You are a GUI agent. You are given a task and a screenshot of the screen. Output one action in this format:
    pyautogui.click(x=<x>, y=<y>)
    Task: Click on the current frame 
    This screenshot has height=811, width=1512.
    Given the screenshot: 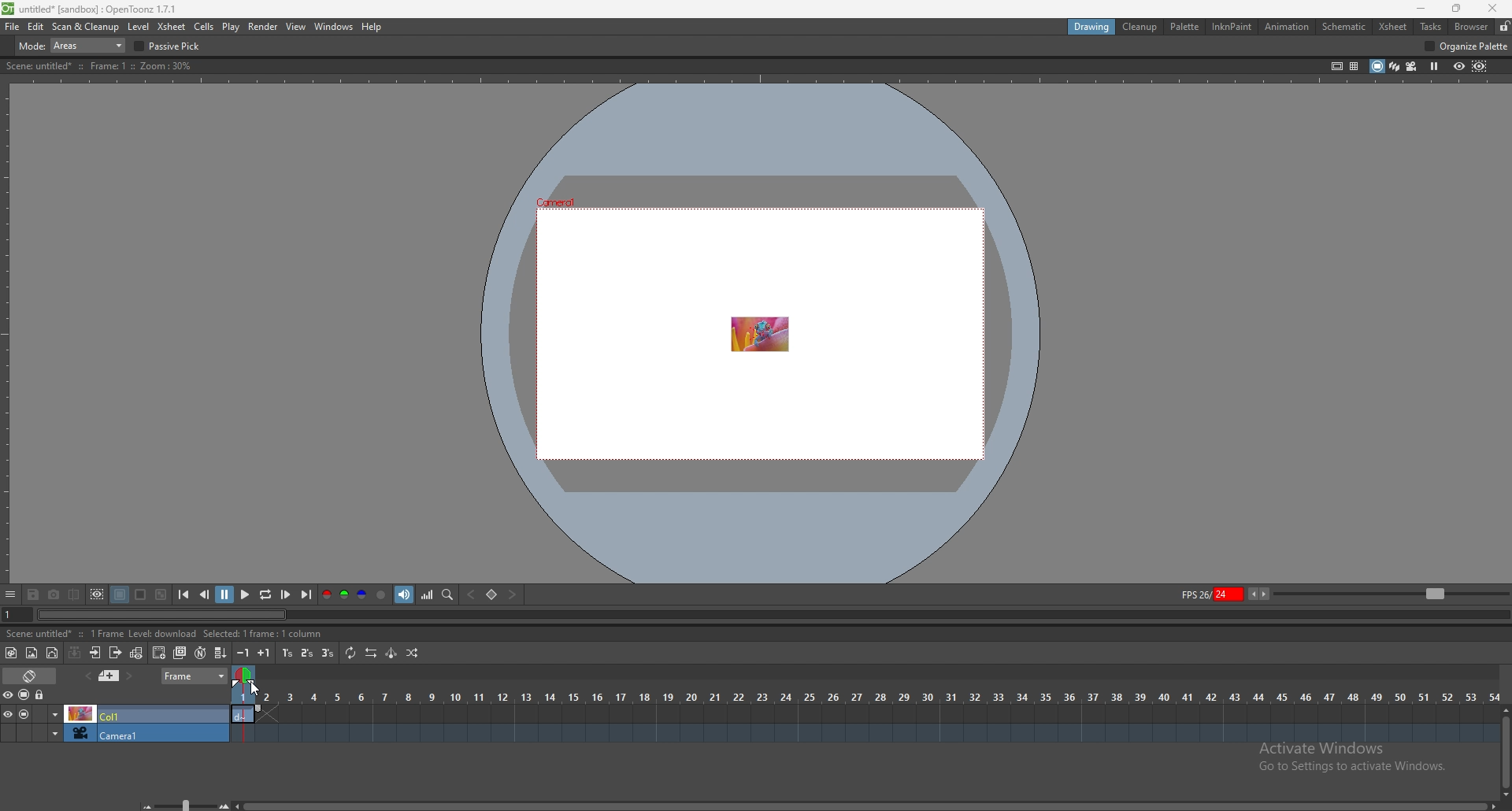 What is the action you would take?
    pyautogui.click(x=13, y=616)
    